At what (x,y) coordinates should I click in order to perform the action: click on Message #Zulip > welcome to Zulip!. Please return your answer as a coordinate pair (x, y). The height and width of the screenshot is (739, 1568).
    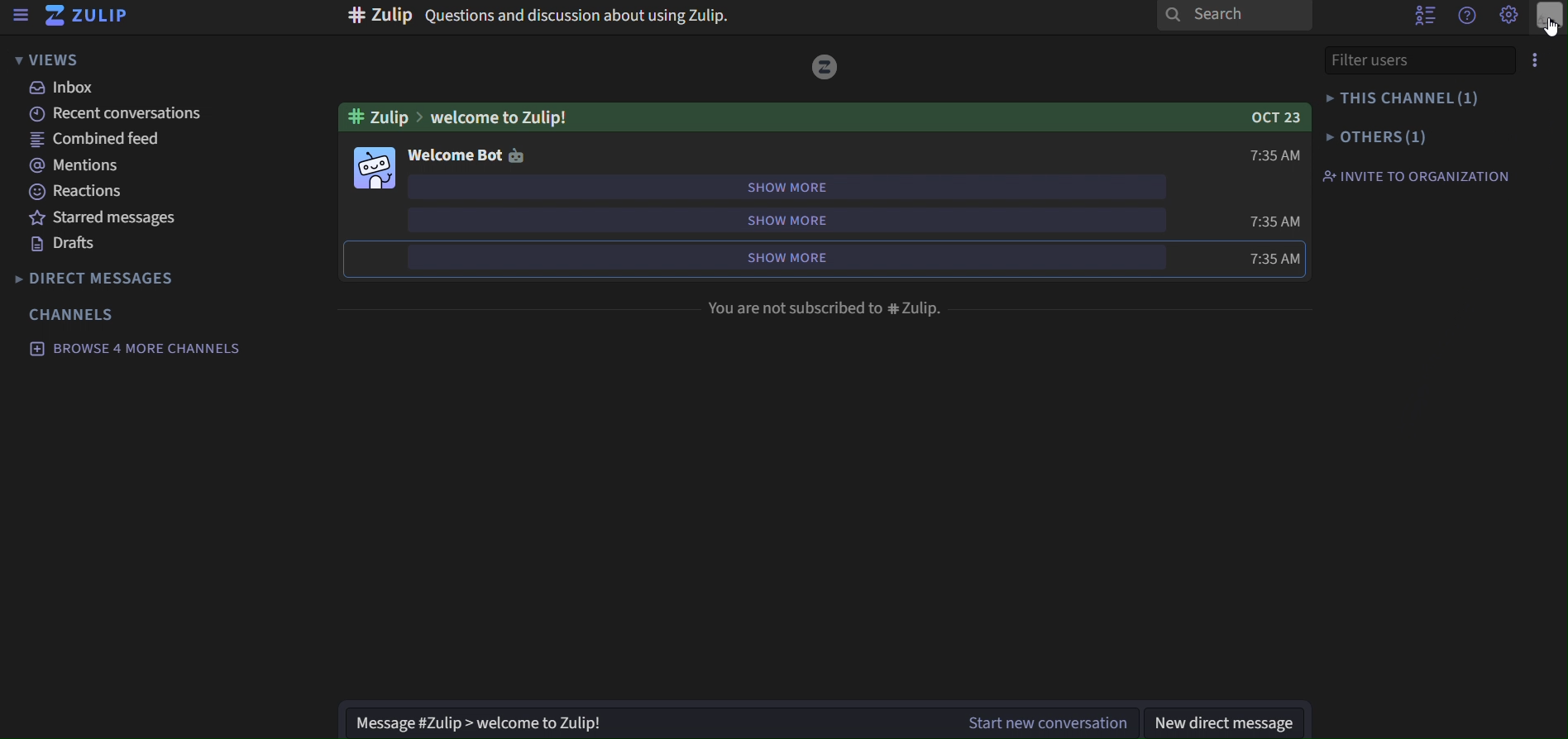
    Looking at the image, I should click on (643, 722).